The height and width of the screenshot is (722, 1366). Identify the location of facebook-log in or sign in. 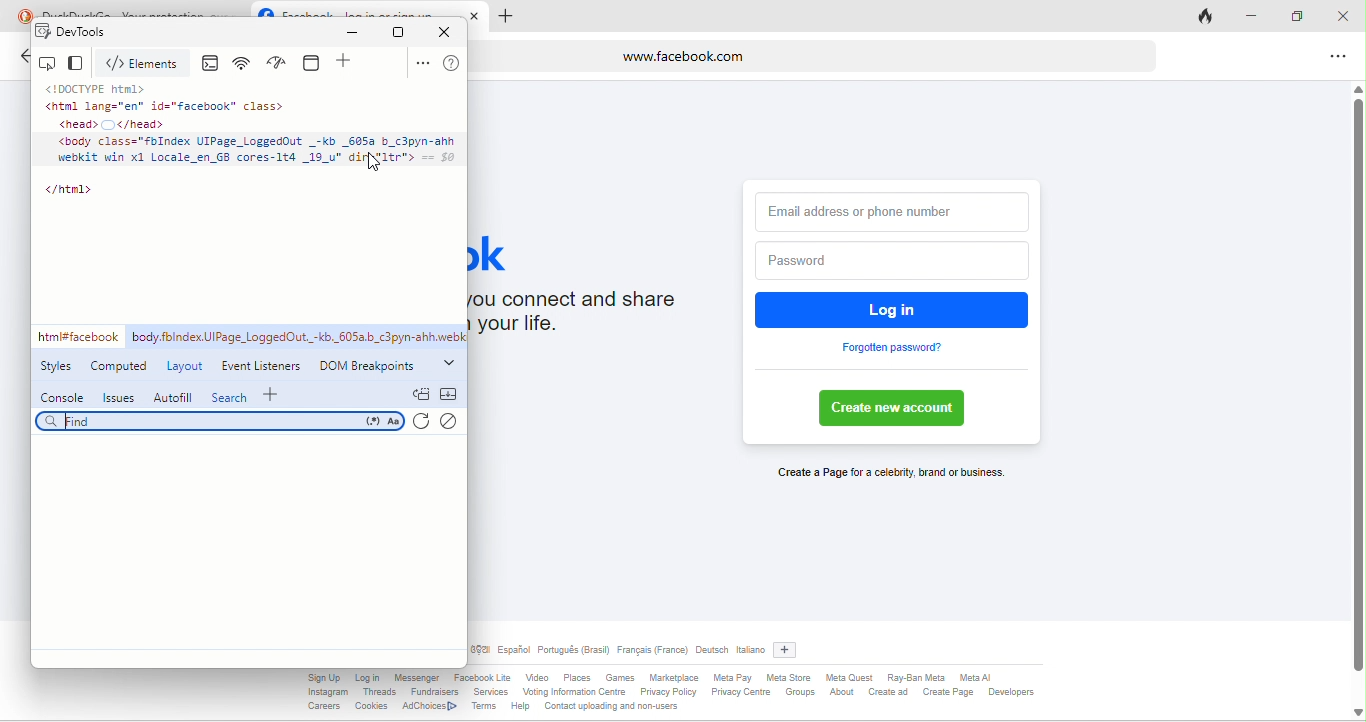
(369, 10).